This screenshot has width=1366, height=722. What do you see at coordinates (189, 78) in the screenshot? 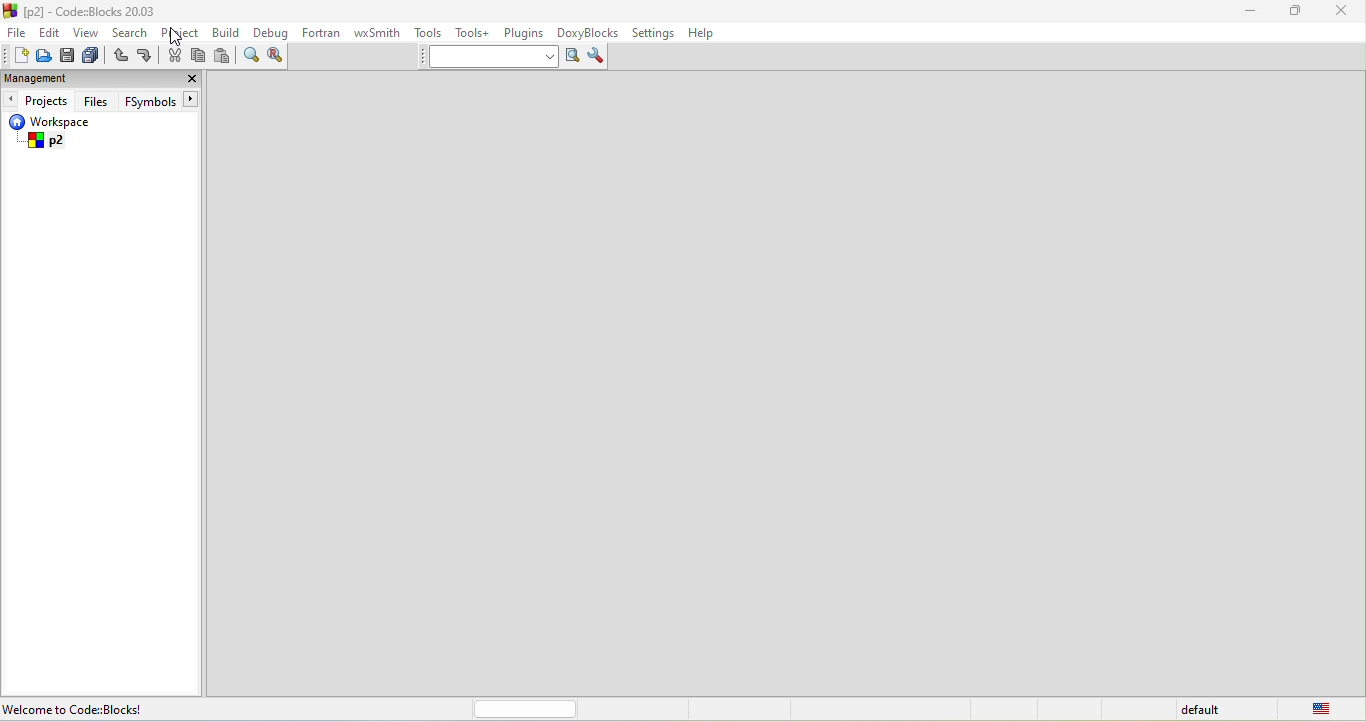
I see `close` at bounding box center [189, 78].